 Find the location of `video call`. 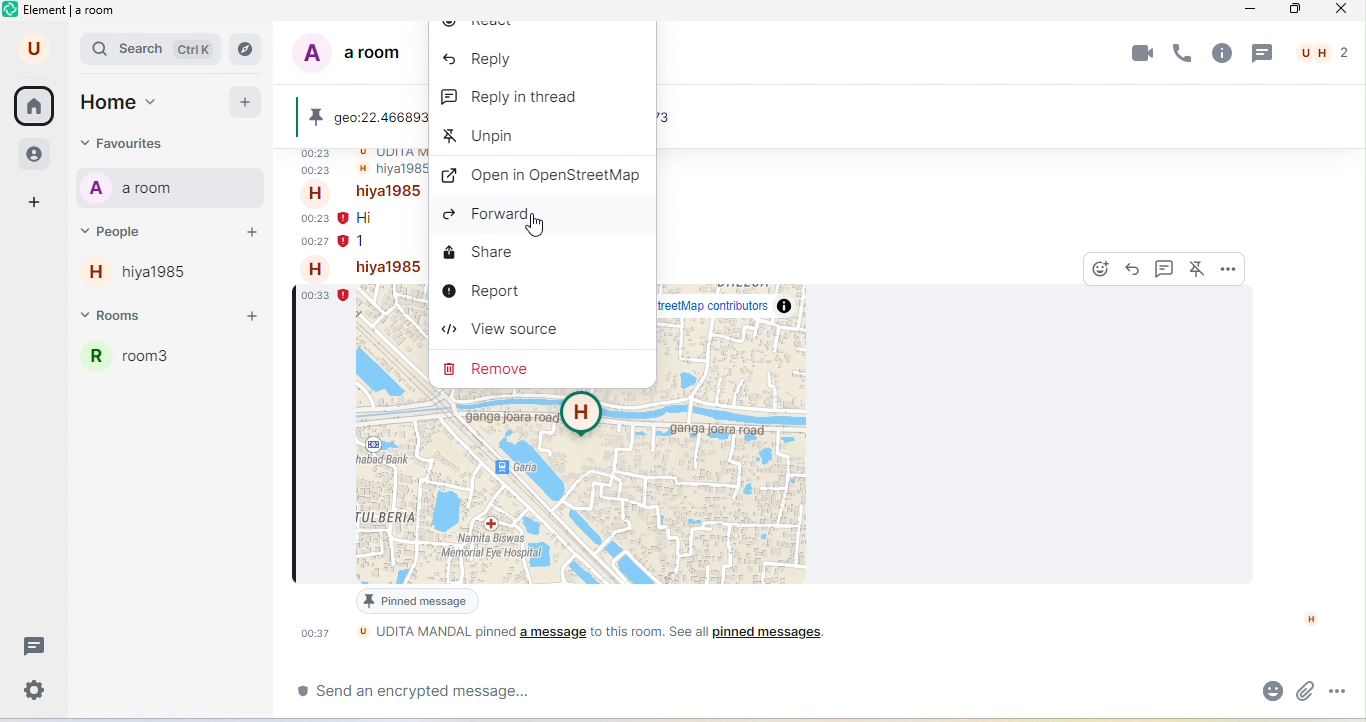

video call is located at coordinates (1140, 54).